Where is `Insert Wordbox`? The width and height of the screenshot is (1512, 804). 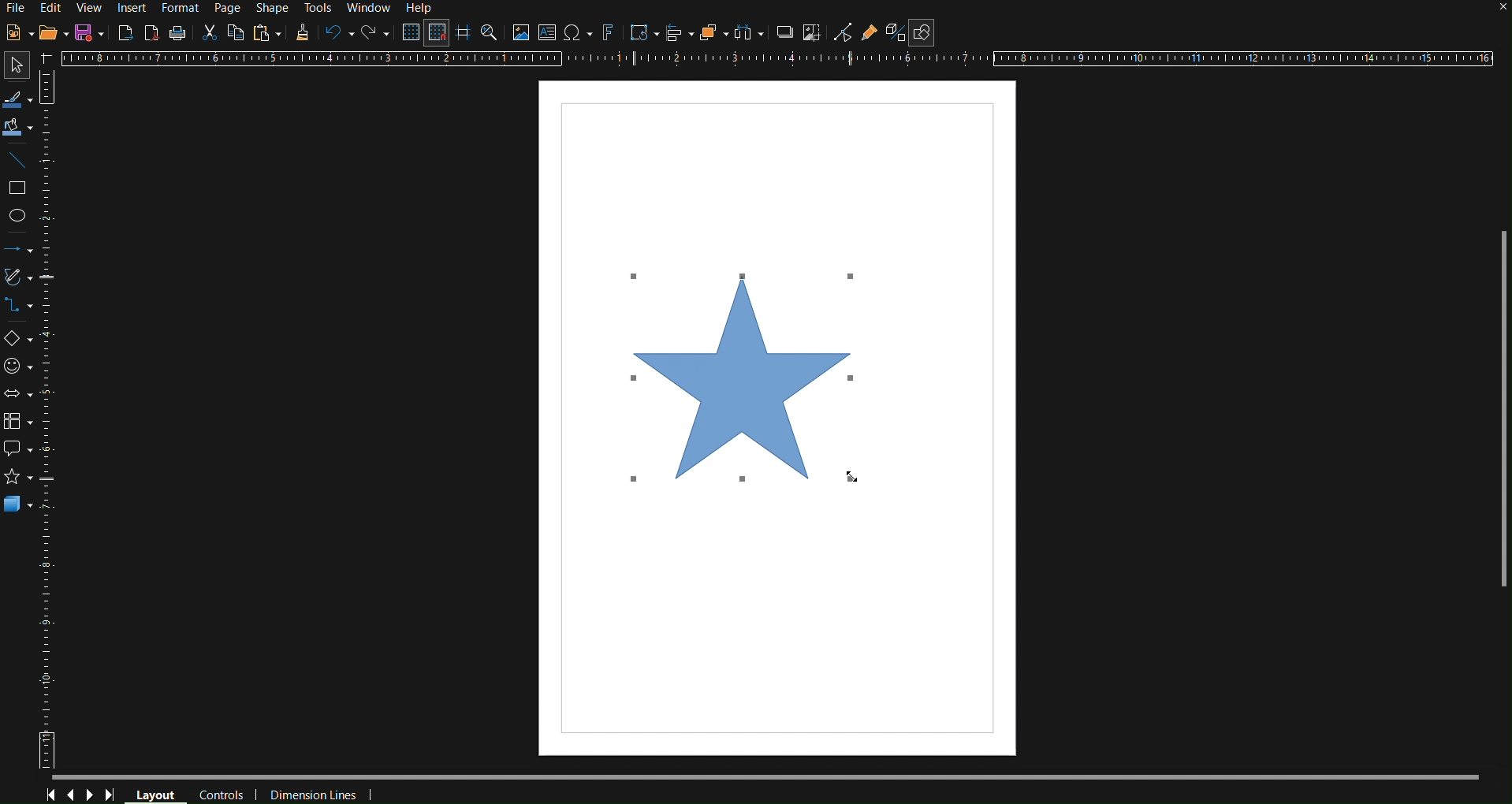 Insert Wordbox is located at coordinates (548, 34).